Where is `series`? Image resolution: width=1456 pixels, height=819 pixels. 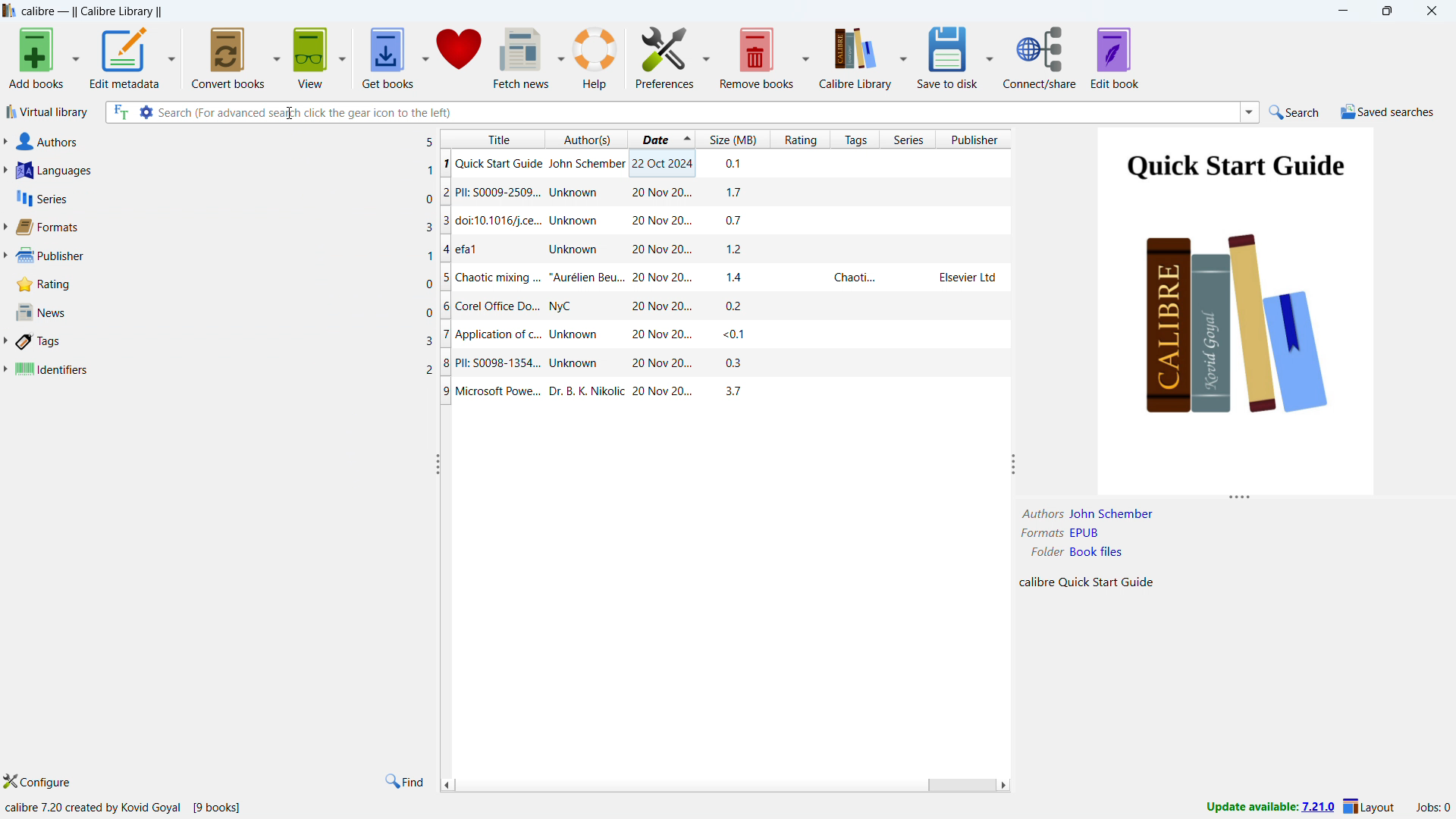
series is located at coordinates (225, 197).